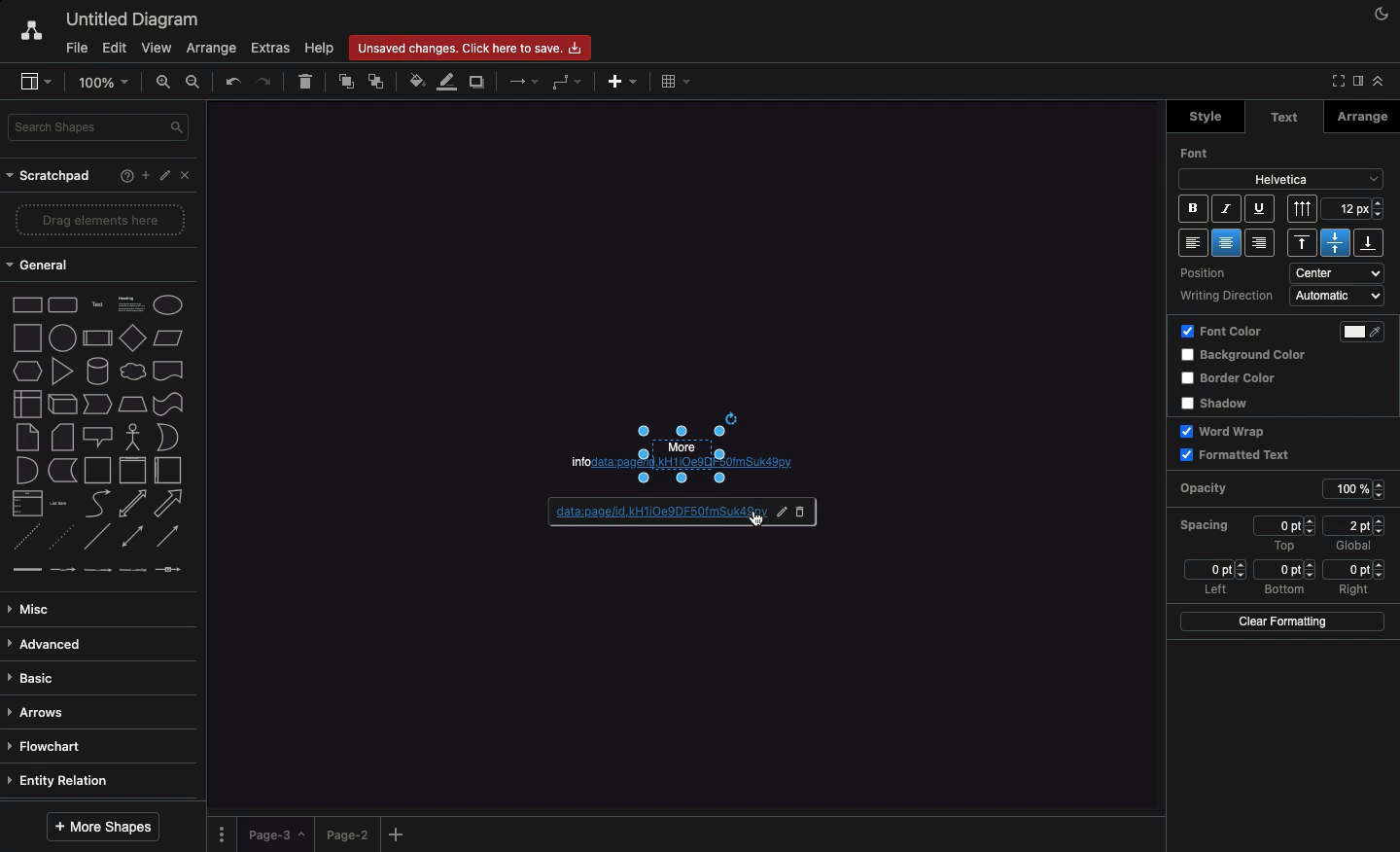 Image resolution: width=1400 pixels, height=852 pixels. Describe the element at coordinates (62, 405) in the screenshot. I see `cube` at that location.